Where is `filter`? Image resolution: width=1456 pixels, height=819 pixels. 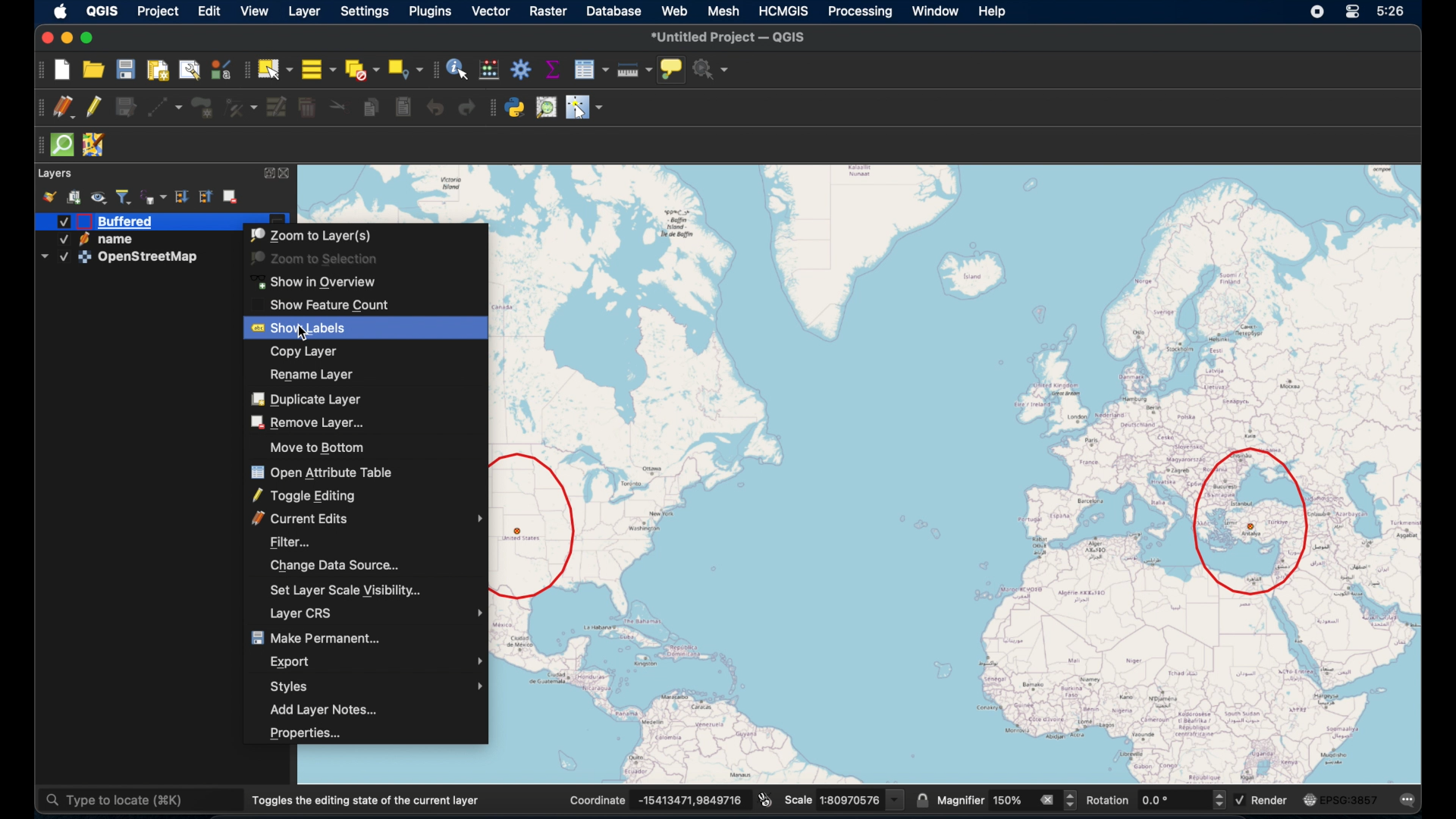
filter is located at coordinates (290, 540).